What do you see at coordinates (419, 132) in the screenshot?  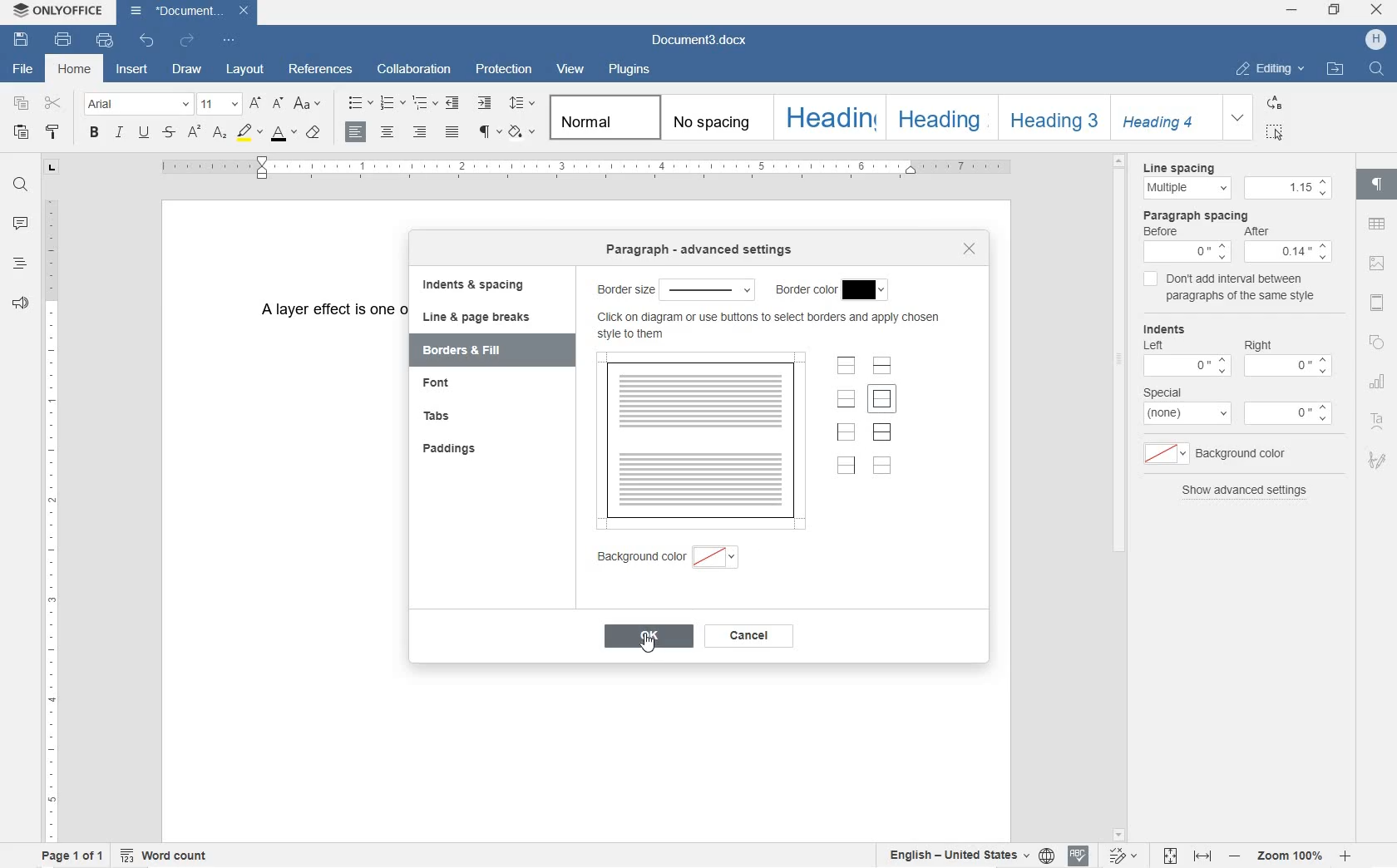 I see `ALIGN RIGHT` at bounding box center [419, 132].